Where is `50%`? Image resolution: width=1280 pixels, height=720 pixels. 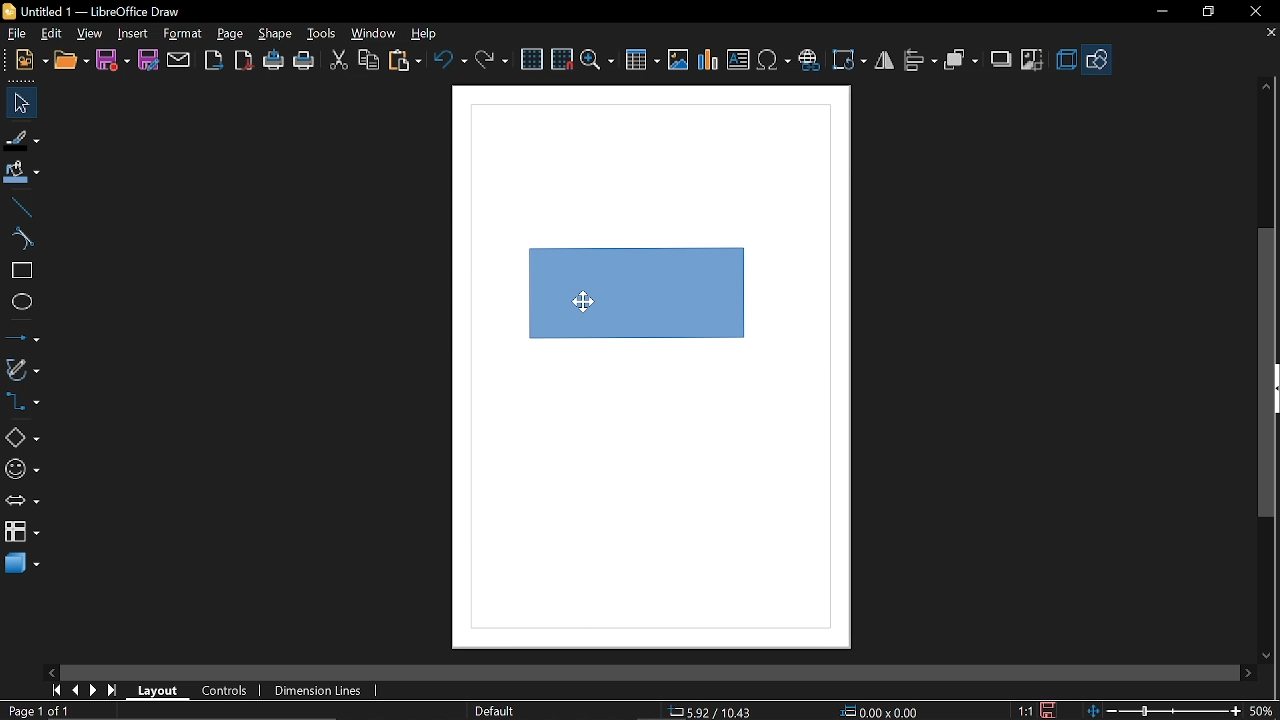 50% is located at coordinates (1262, 709).